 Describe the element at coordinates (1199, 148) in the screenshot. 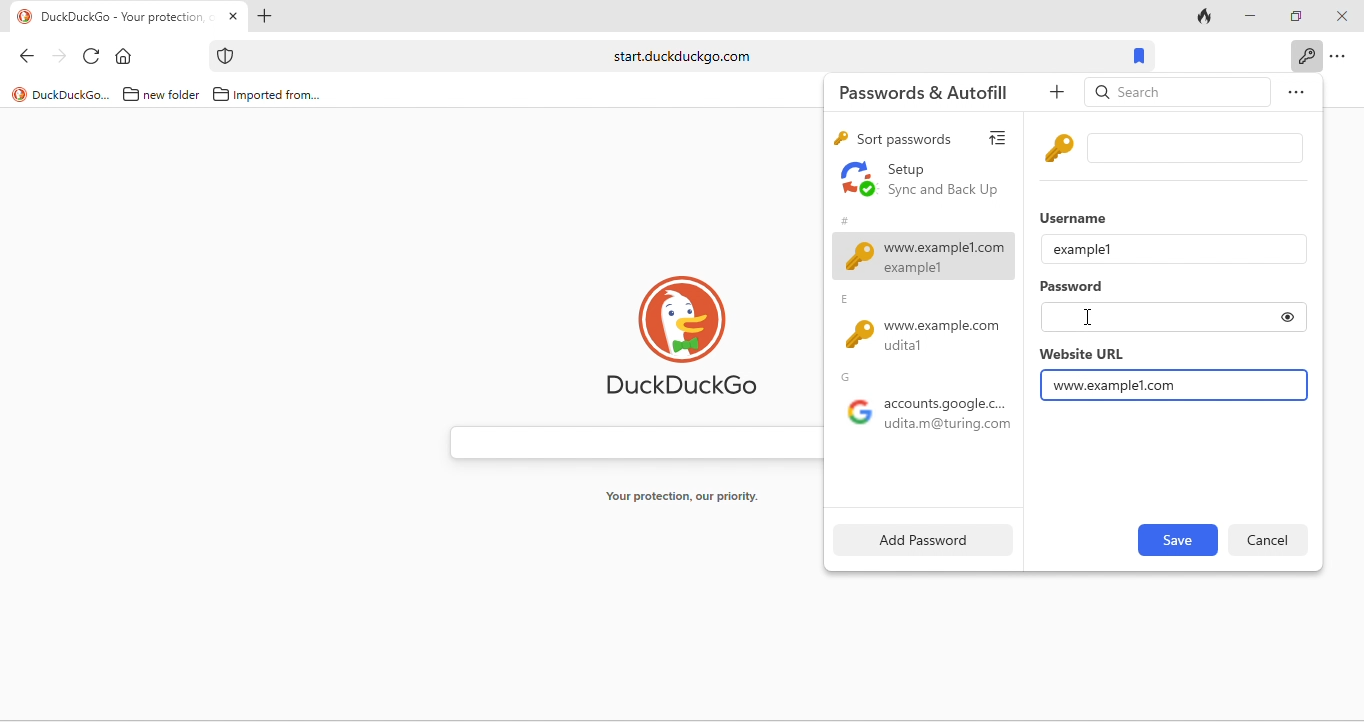

I see `input box` at that location.